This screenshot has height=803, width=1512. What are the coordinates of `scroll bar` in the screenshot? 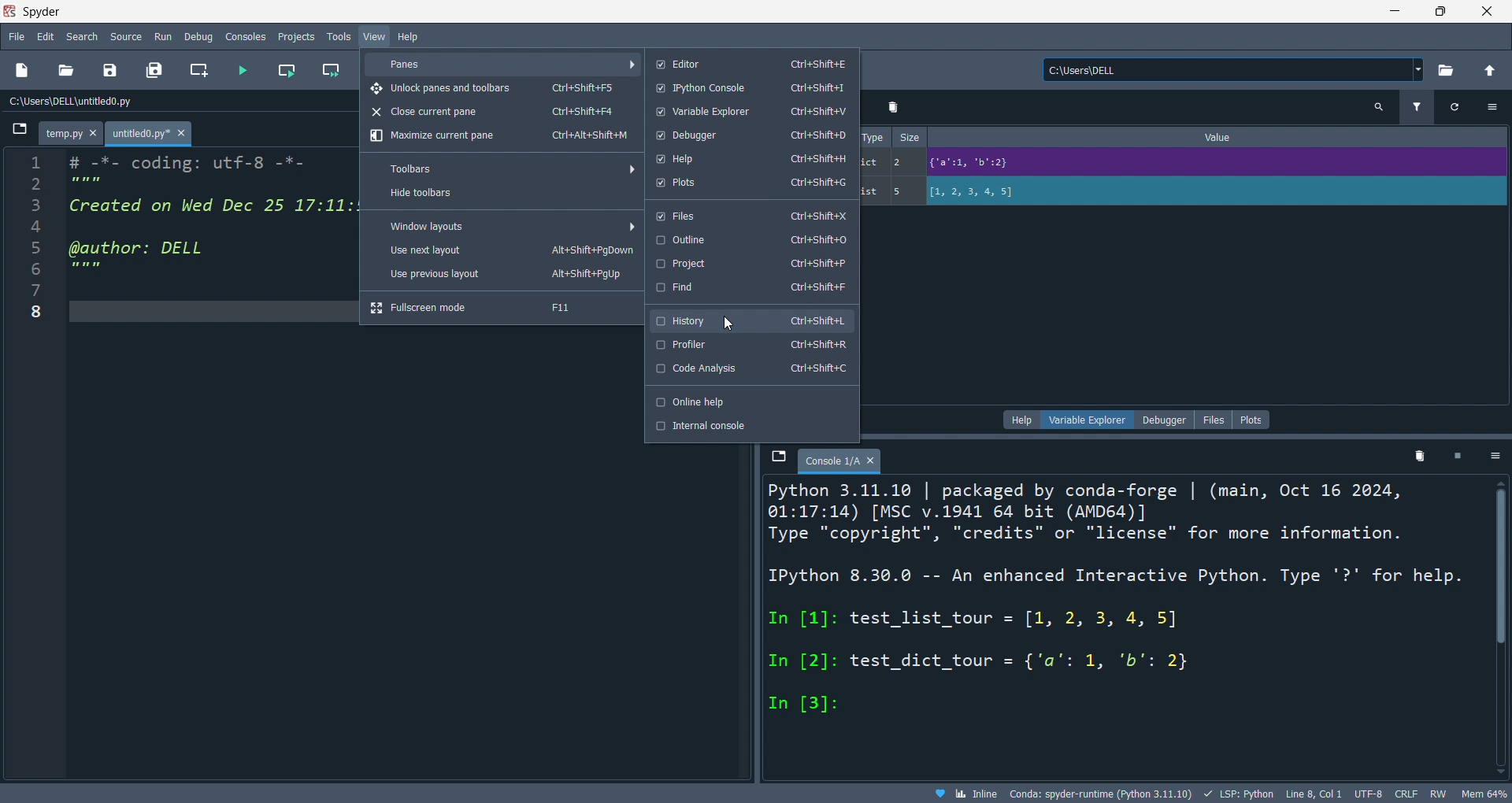 It's located at (1499, 625).